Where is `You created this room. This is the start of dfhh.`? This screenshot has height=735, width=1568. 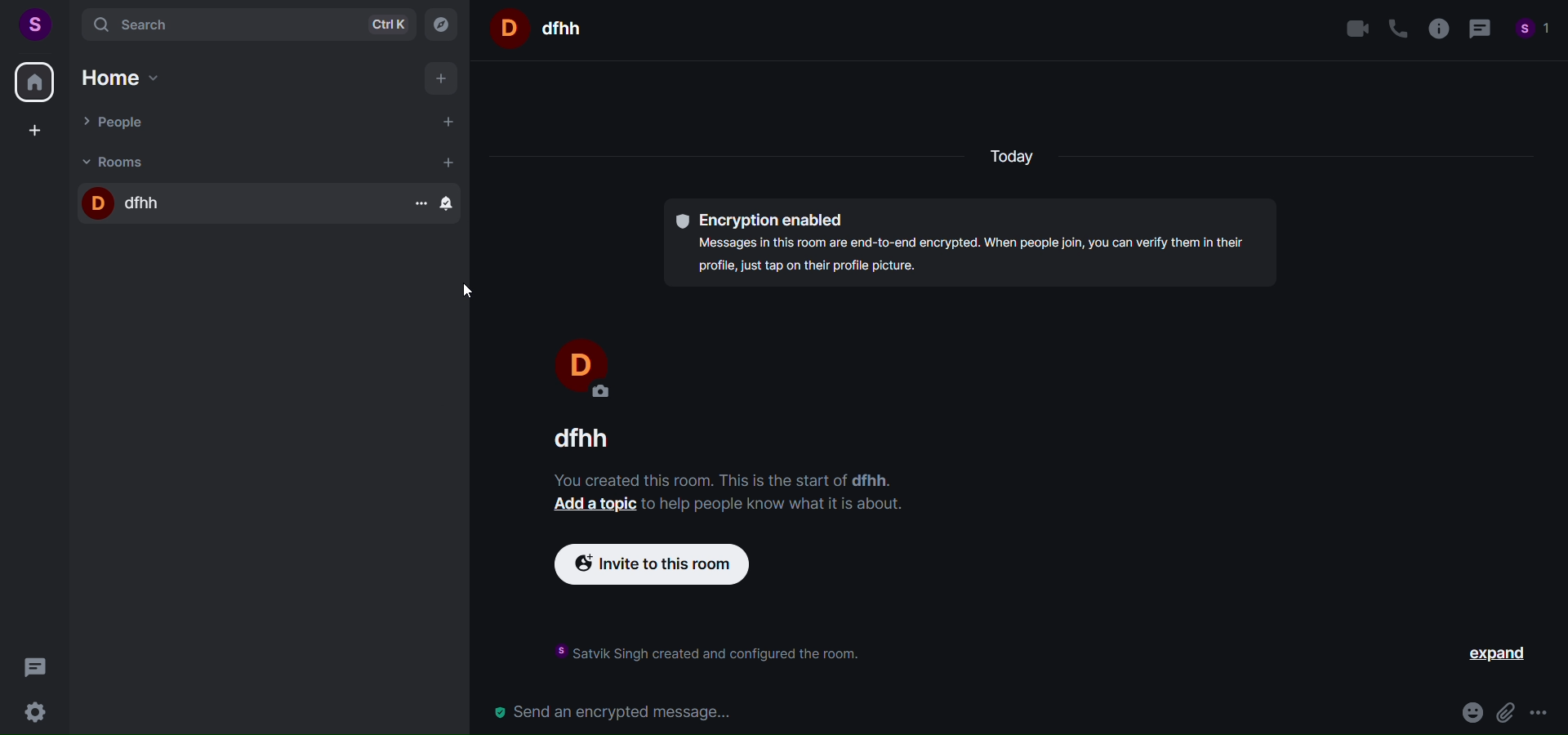
You created this room. This is the start of dfhh. is located at coordinates (717, 479).